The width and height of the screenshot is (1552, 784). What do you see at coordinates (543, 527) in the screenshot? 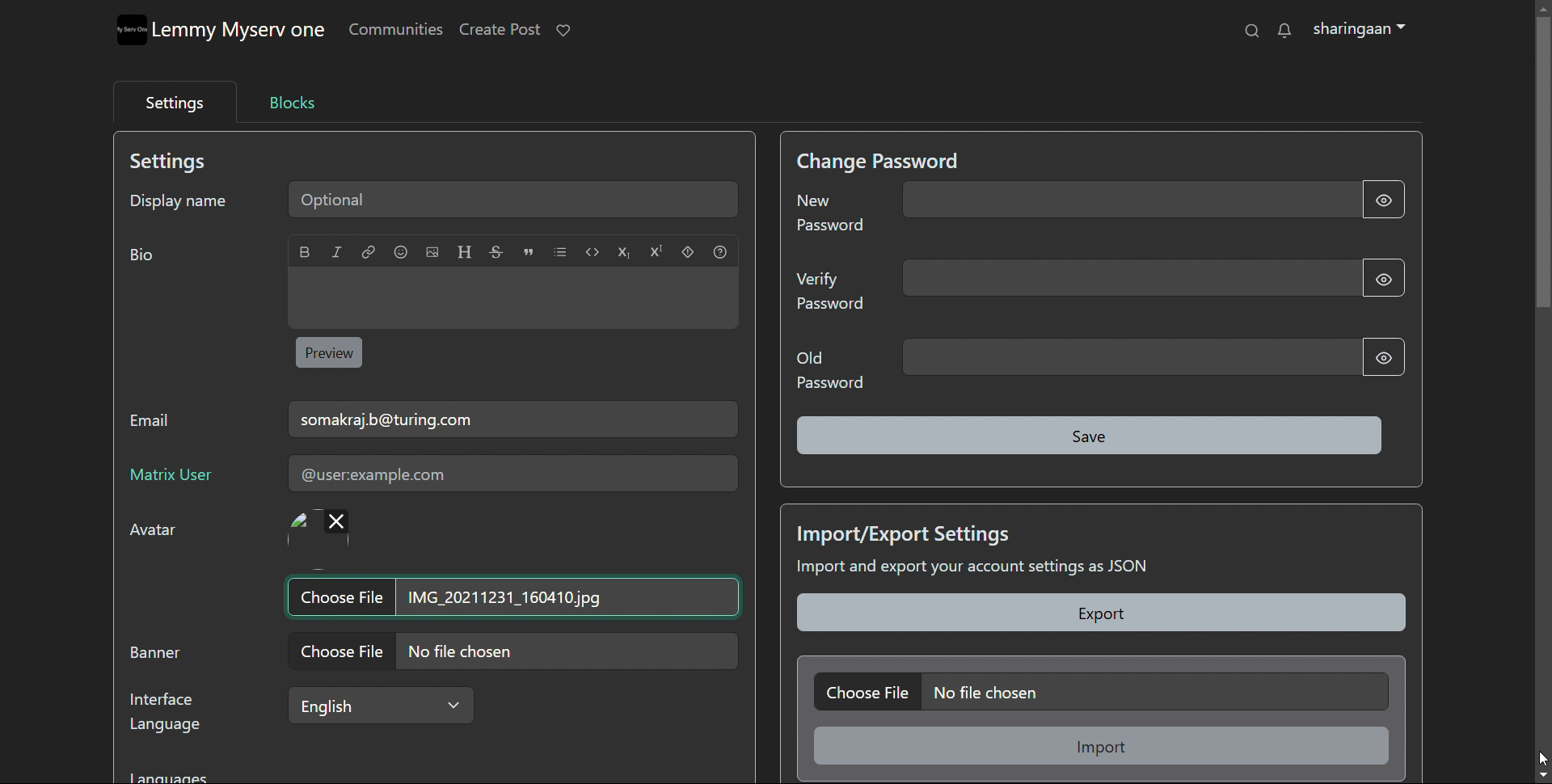
I see `choose file for avatar` at bounding box center [543, 527].